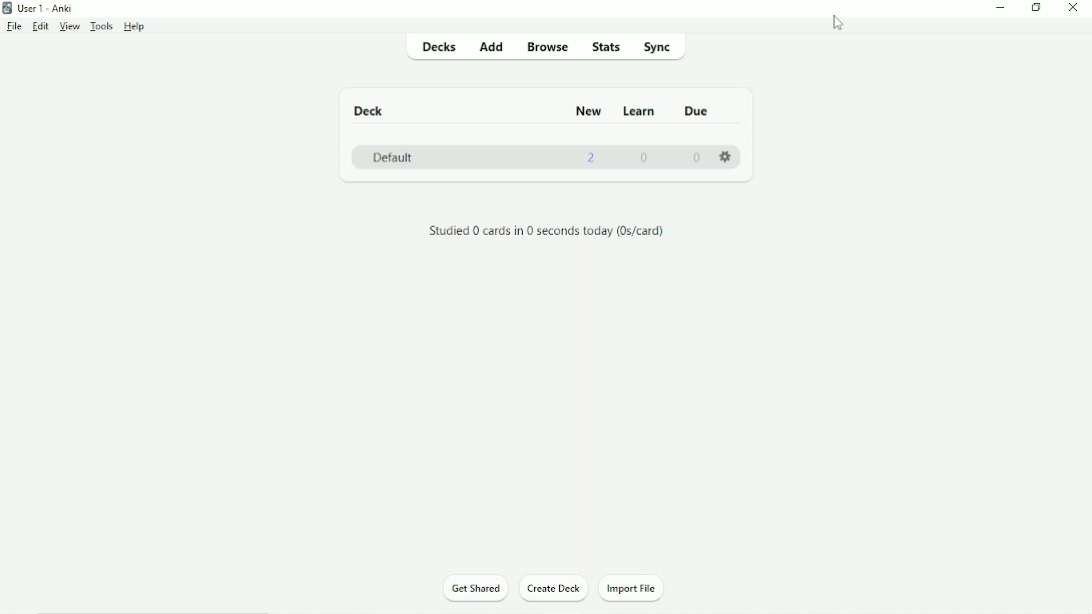  Describe the element at coordinates (101, 26) in the screenshot. I see `Tools` at that location.